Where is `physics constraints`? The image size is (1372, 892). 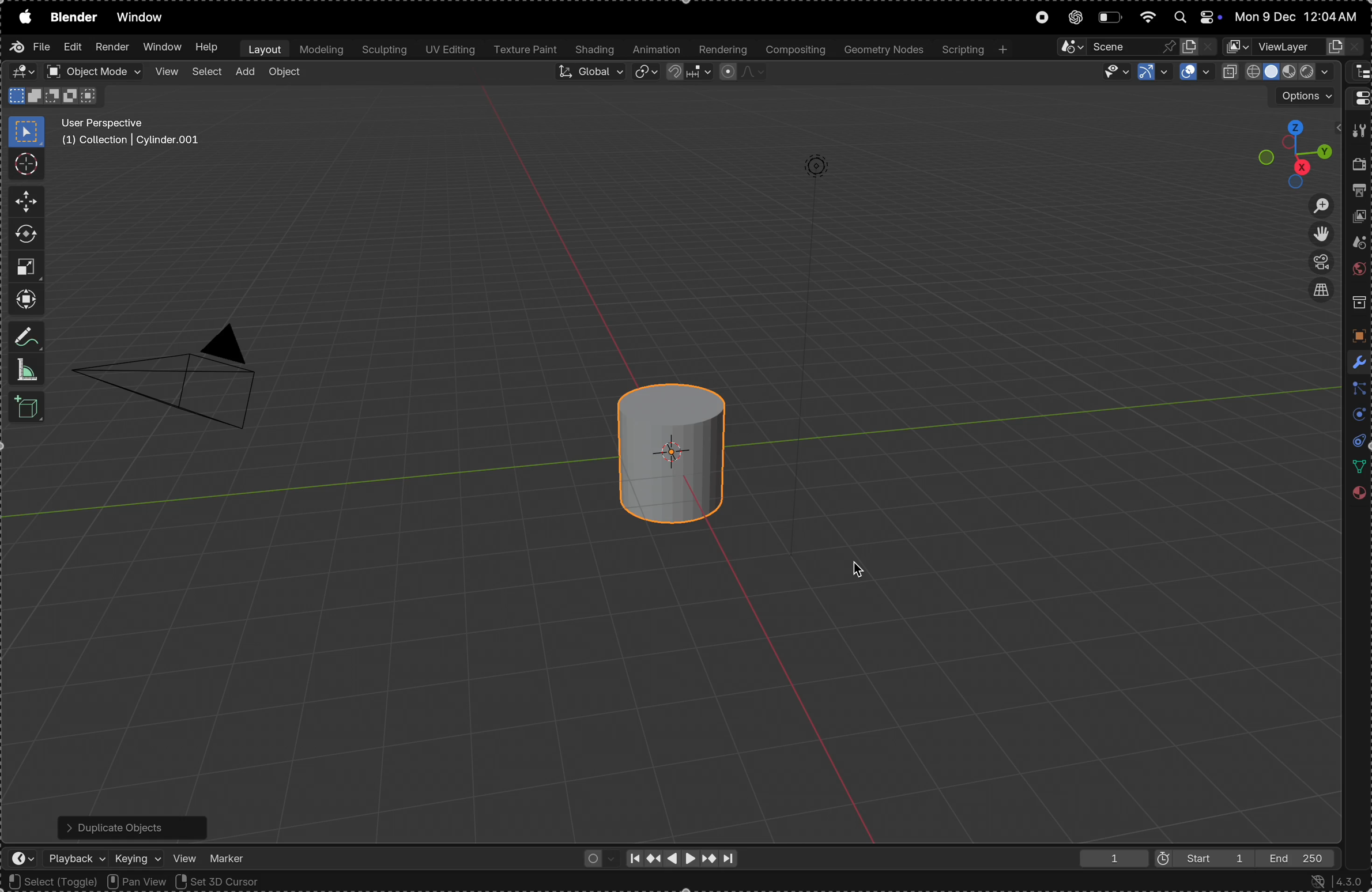 physics constraints is located at coordinates (1355, 442).